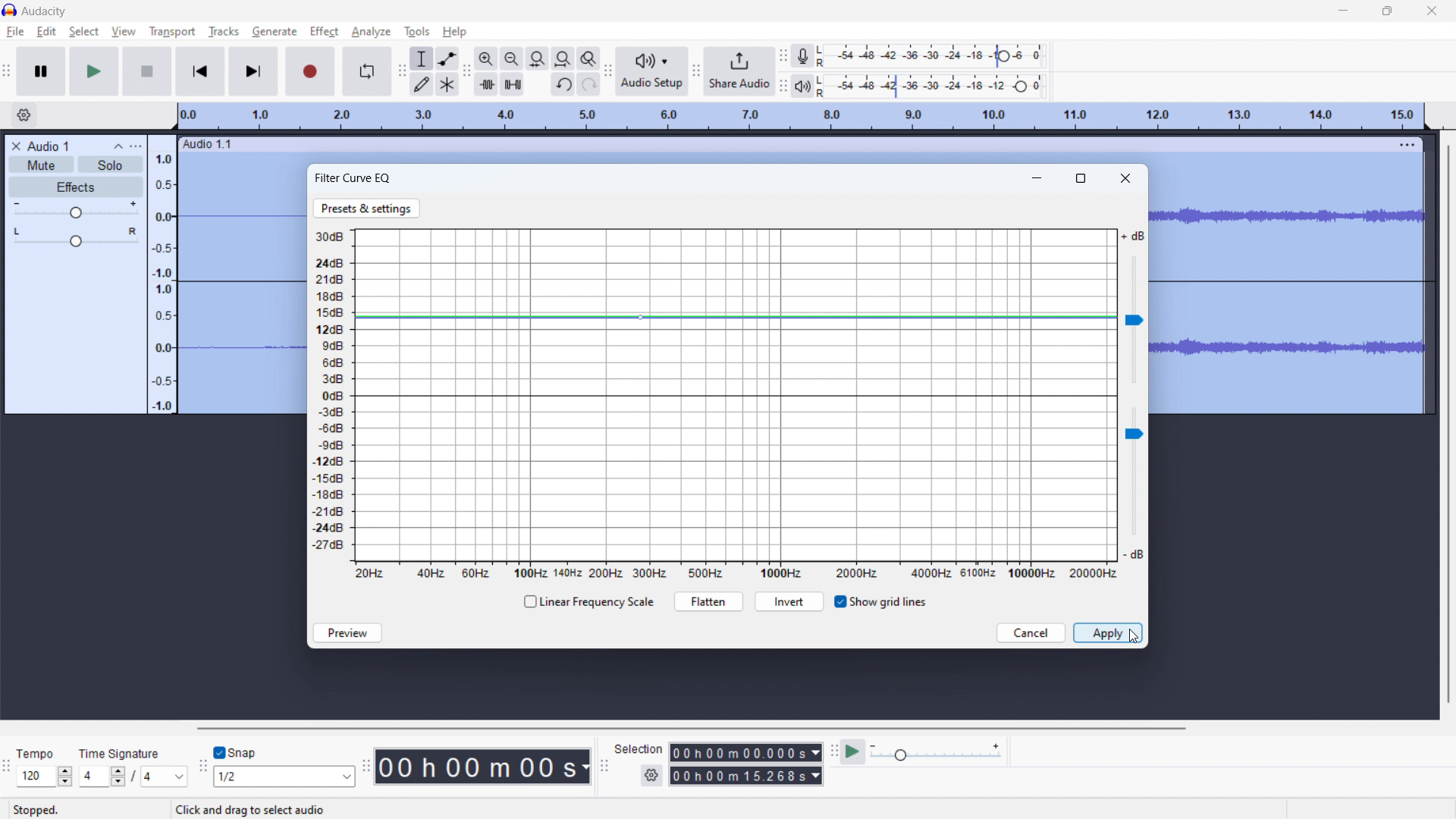 Image resolution: width=1456 pixels, height=819 pixels. I want to click on snap toggle, so click(236, 752).